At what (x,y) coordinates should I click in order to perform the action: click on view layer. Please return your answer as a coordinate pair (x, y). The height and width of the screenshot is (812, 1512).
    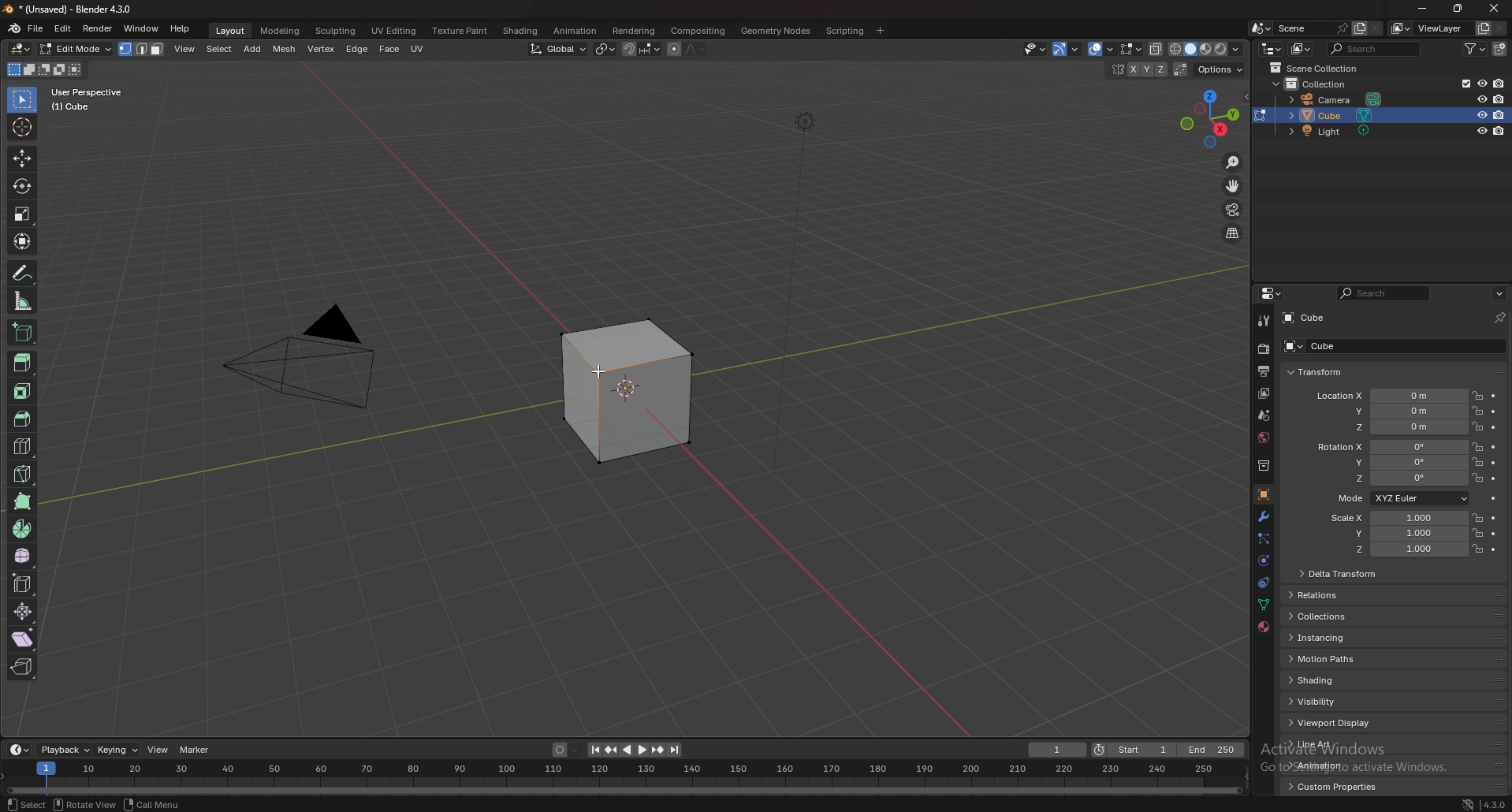
    Looking at the image, I should click on (1263, 395).